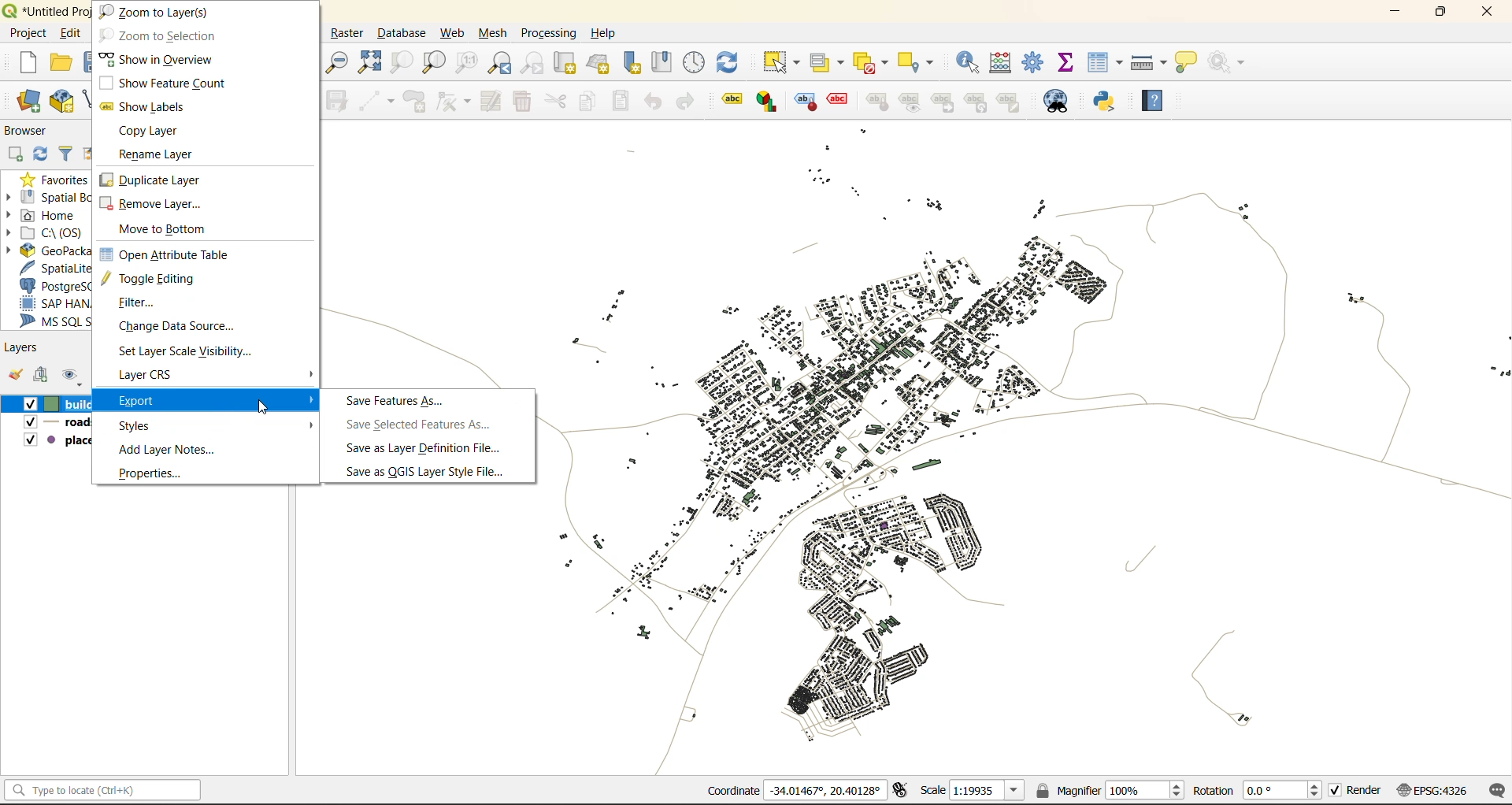 The image size is (1512, 805). What do you see at coordinates (43, 154) in the screenshot?
I see `refresh` at bounding box center [43, 154].